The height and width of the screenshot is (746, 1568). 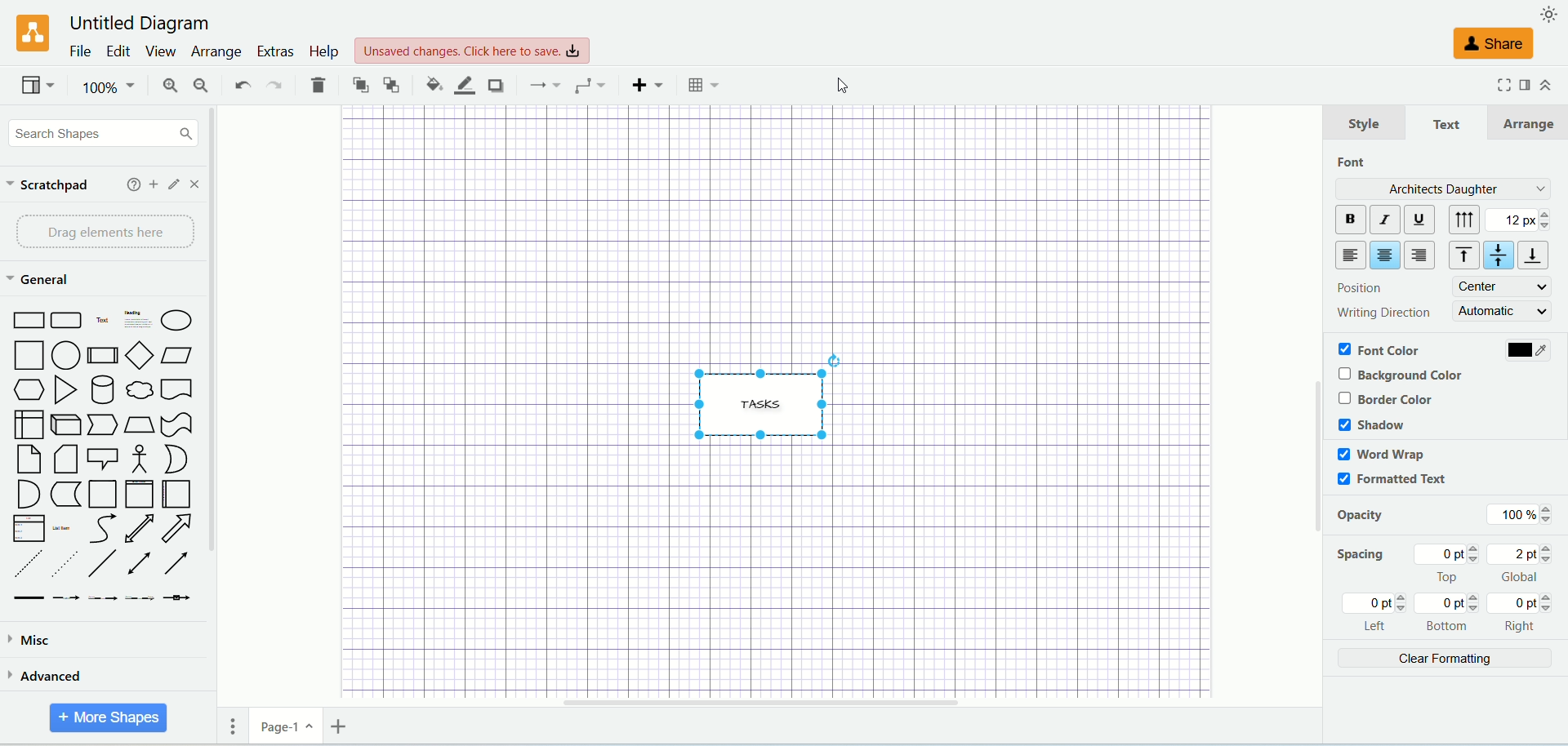 I want to click on automatic, so click(x=1503, y=310).